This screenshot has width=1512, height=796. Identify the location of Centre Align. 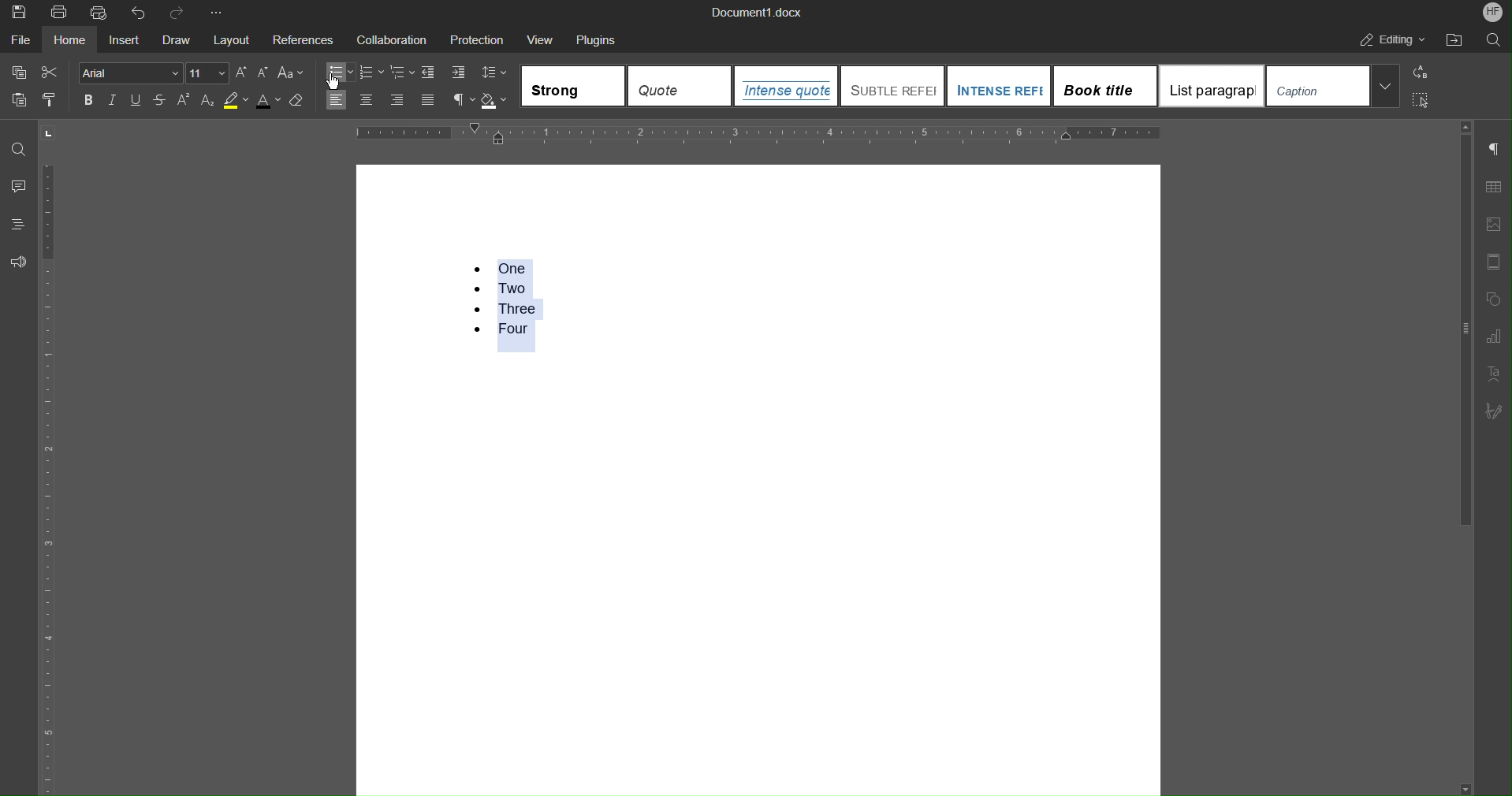
(367, 100).